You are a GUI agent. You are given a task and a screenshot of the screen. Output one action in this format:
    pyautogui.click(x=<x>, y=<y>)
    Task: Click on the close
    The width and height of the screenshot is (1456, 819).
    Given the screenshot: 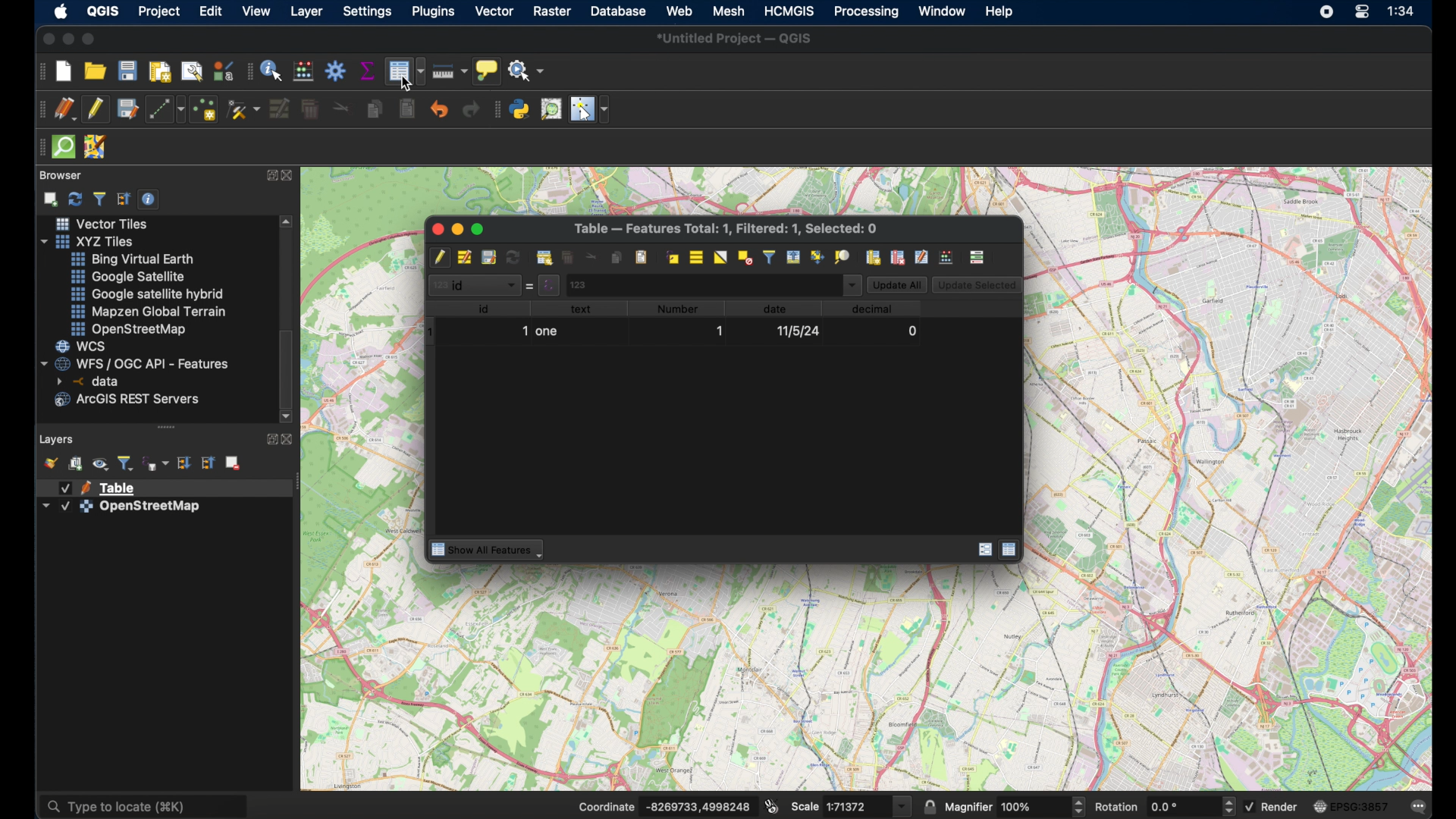 What is the action you would take?
    pyautogui.click(x=290, y=439)
    